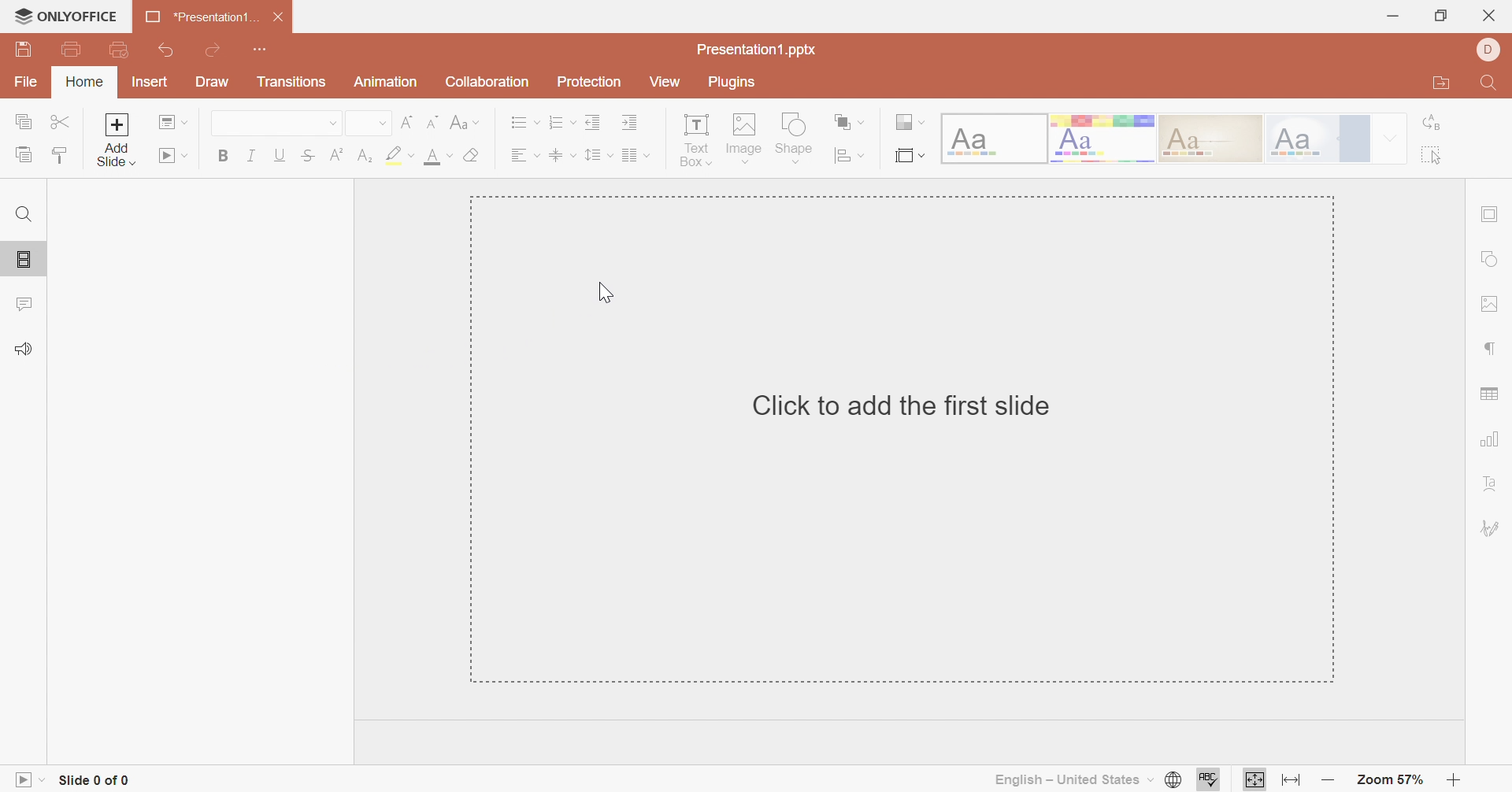 The width and height of the screenshot is (1512, 792). What do you see at coordinates (23, 122) in the screenshot?
I see `Copy` at bounding box center [23, 122].